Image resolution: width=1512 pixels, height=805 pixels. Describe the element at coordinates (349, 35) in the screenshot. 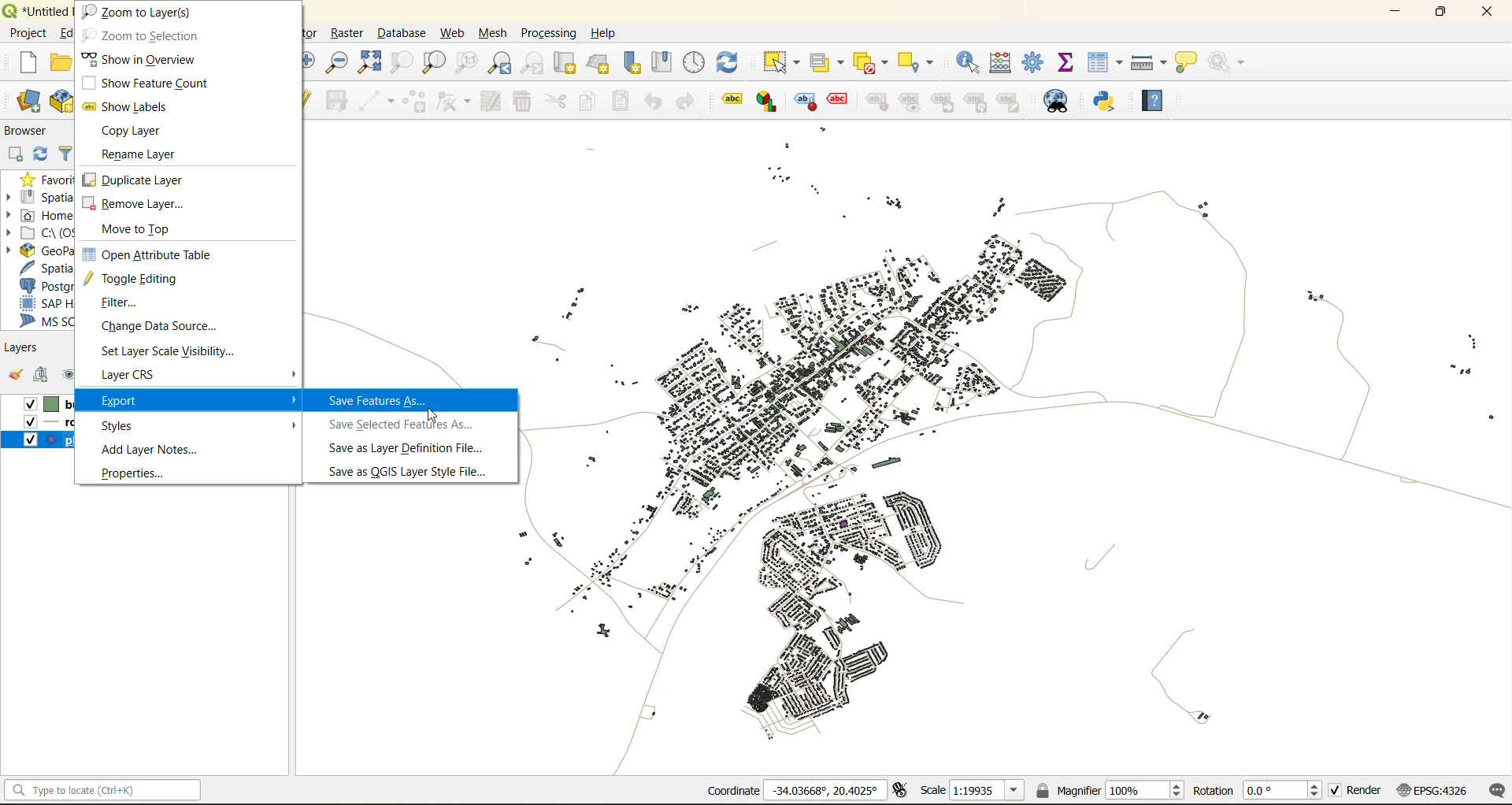

I see `raster` at that location.